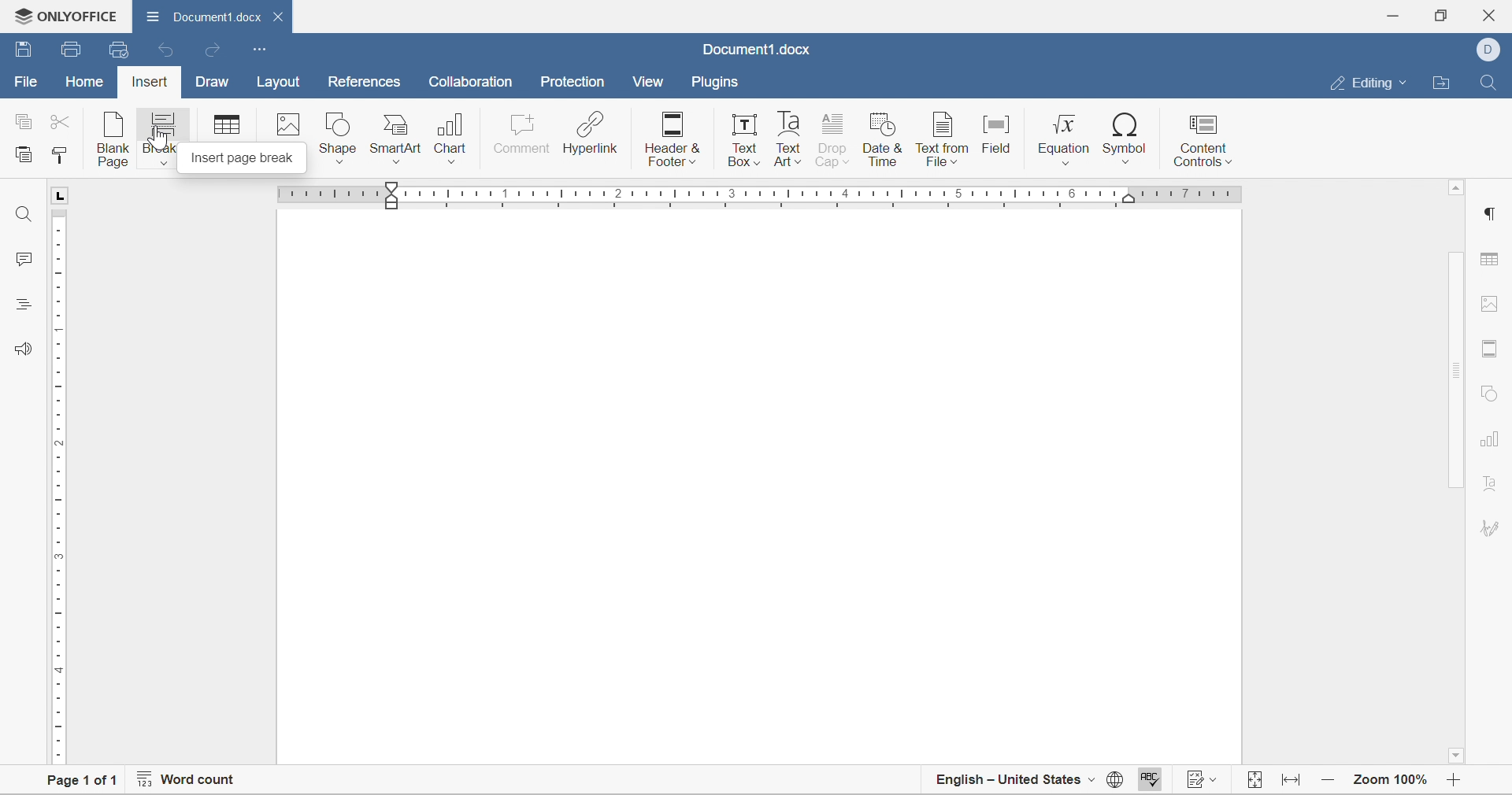 The height and width of the screenshot is (795, 1512). Describe the element at coordinates (280, 83) in the screenshot. I see `Layout` at that location.